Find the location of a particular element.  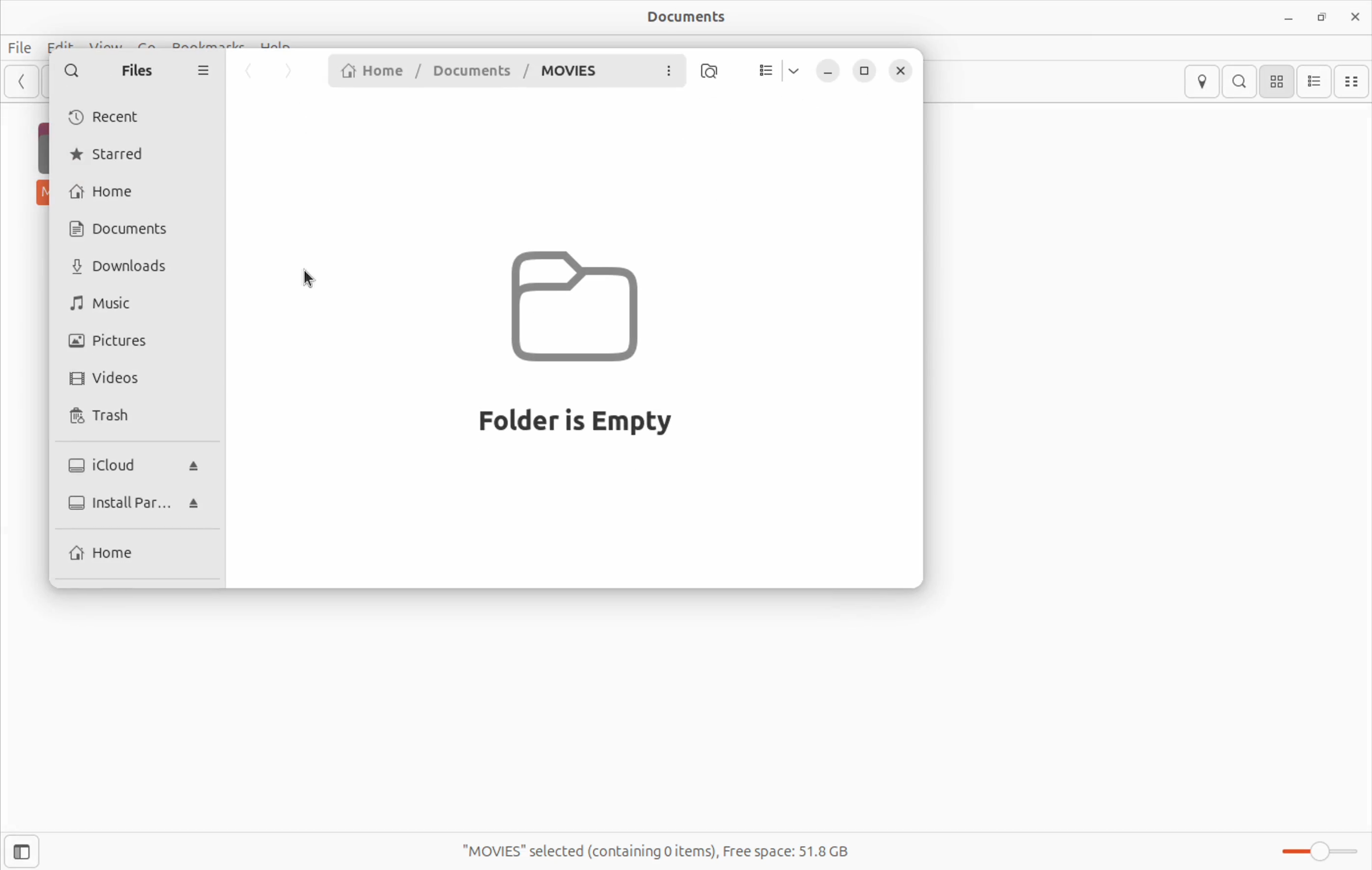

list is located at coordinates (763, 71).